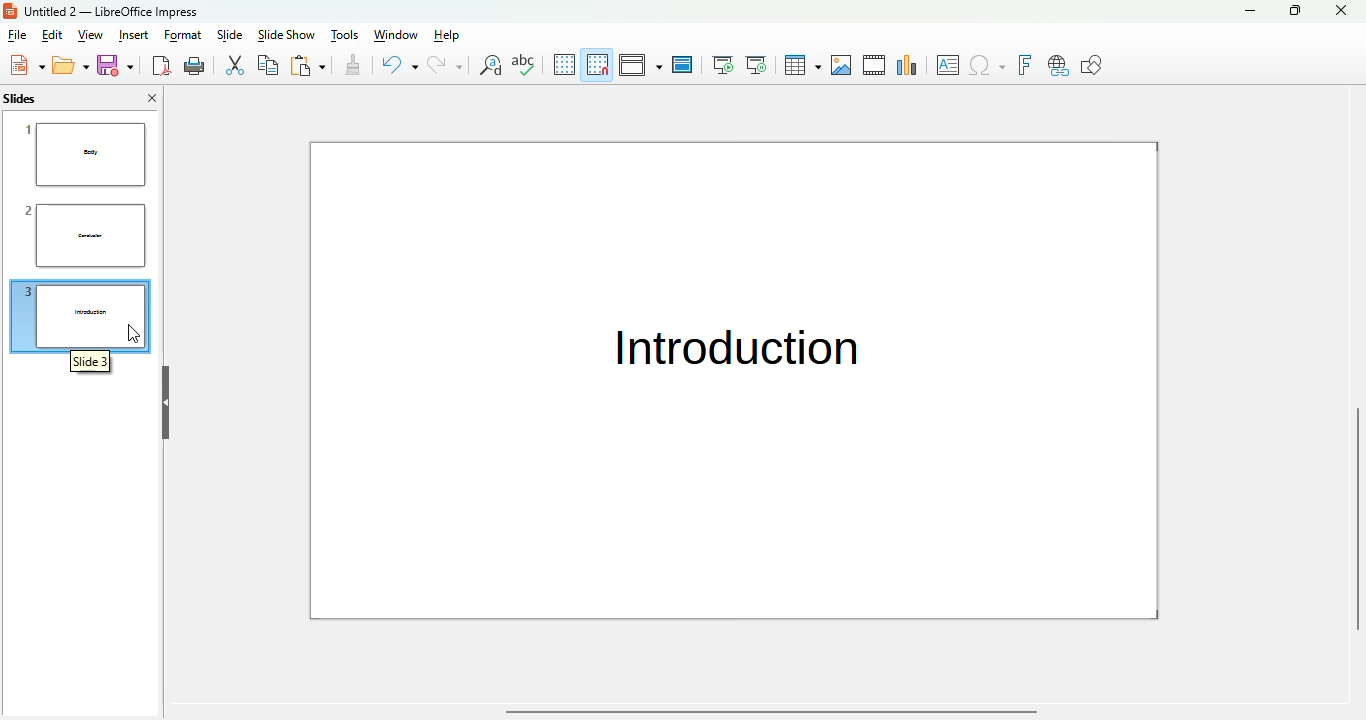 The image size is (1366, 720). What do you see at coordinates (1093, 65) in the screenshot?
I see `show draw functions` at bounding box center [1093, 65].